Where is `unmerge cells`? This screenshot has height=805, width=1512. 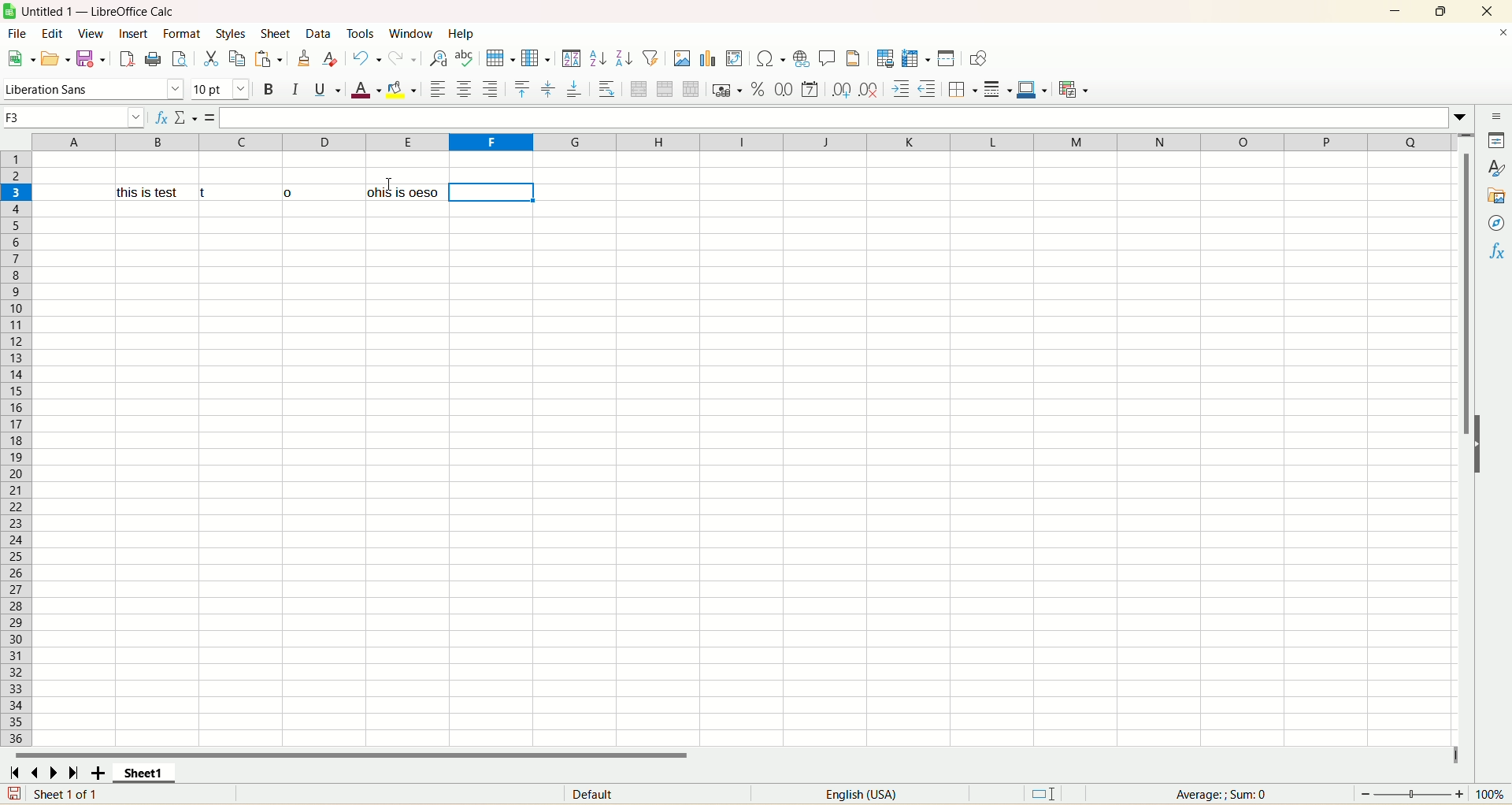 unmerge cells is located at coordinates (691, 89).